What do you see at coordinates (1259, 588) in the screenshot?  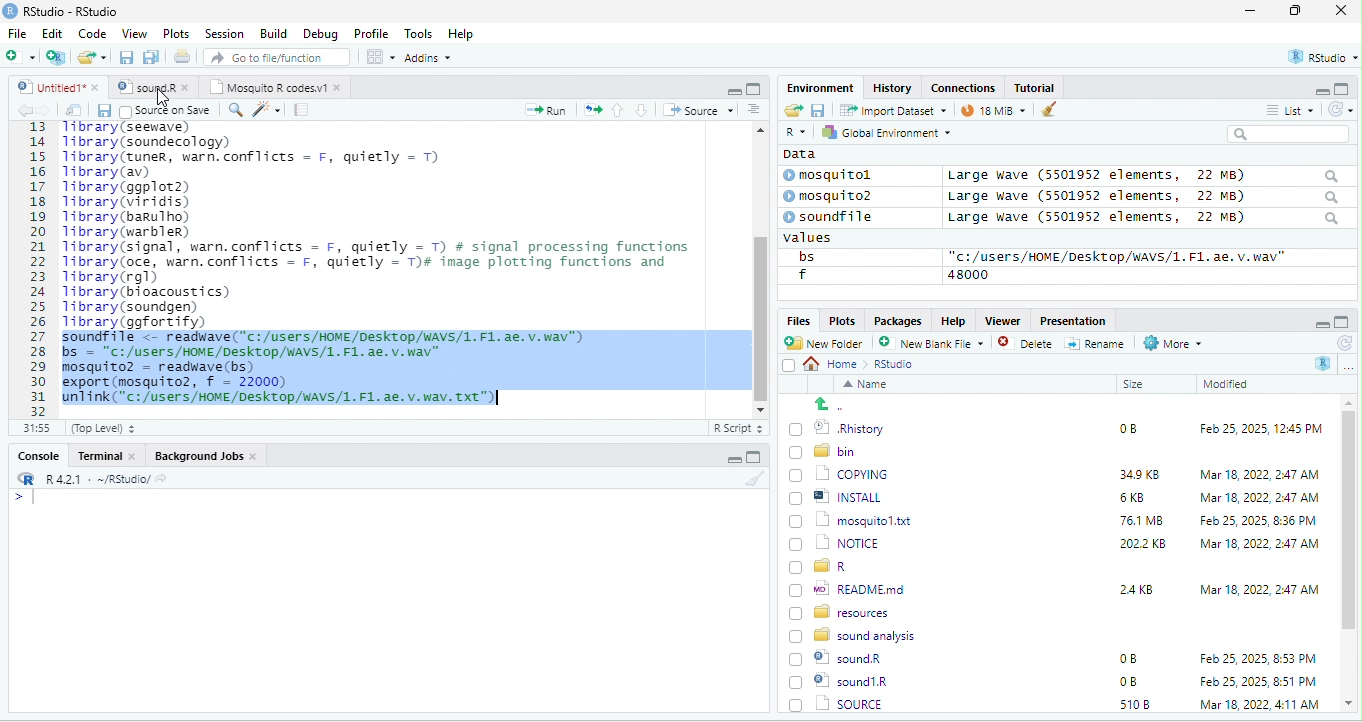 I see `Mar 18, 2022, 2:47 AM` at bounding box center [1259, 588].